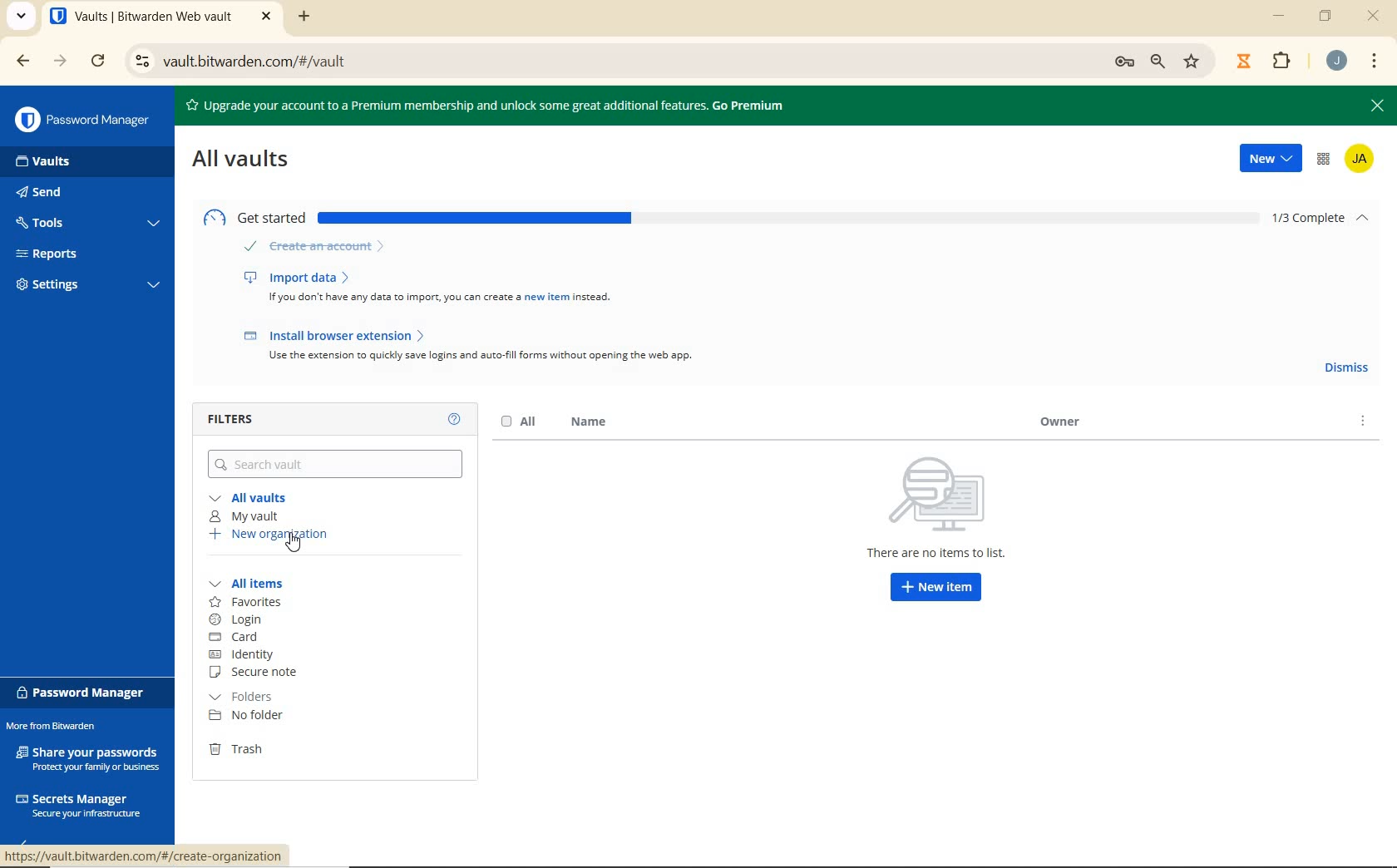  What do you see at coordinates (256, 584) in the screenshot?
I see `all items` at bounding box center [256, 584].